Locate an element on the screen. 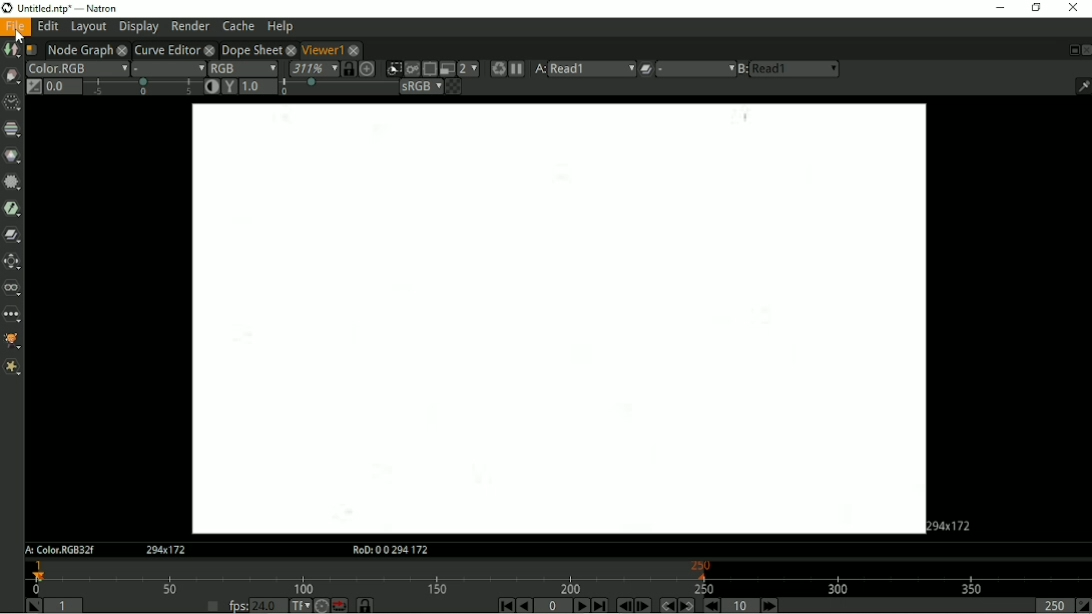  Aspect is located at coordinates (166, 551).